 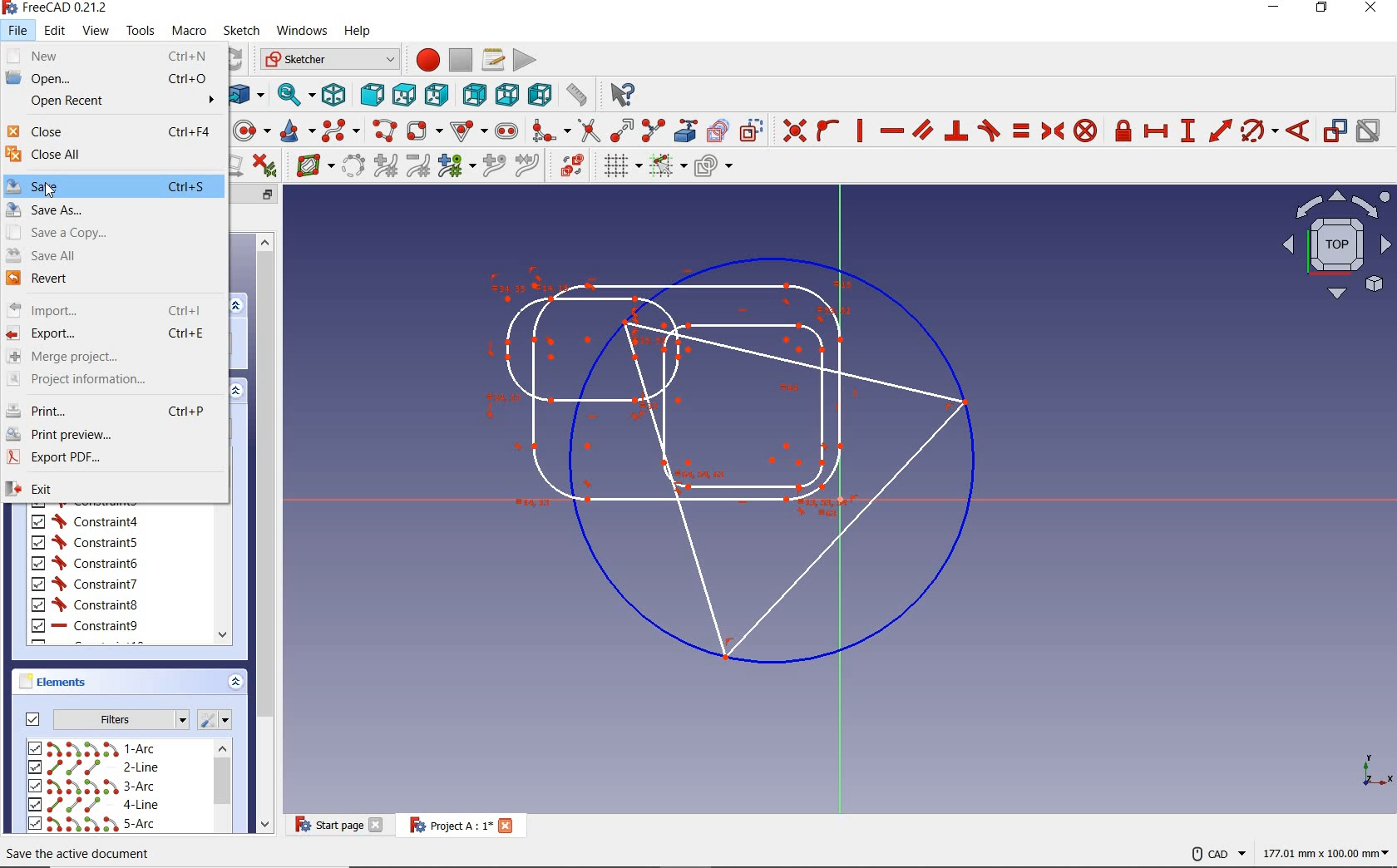 I want to click on bottom, so click(x=506, y=95).